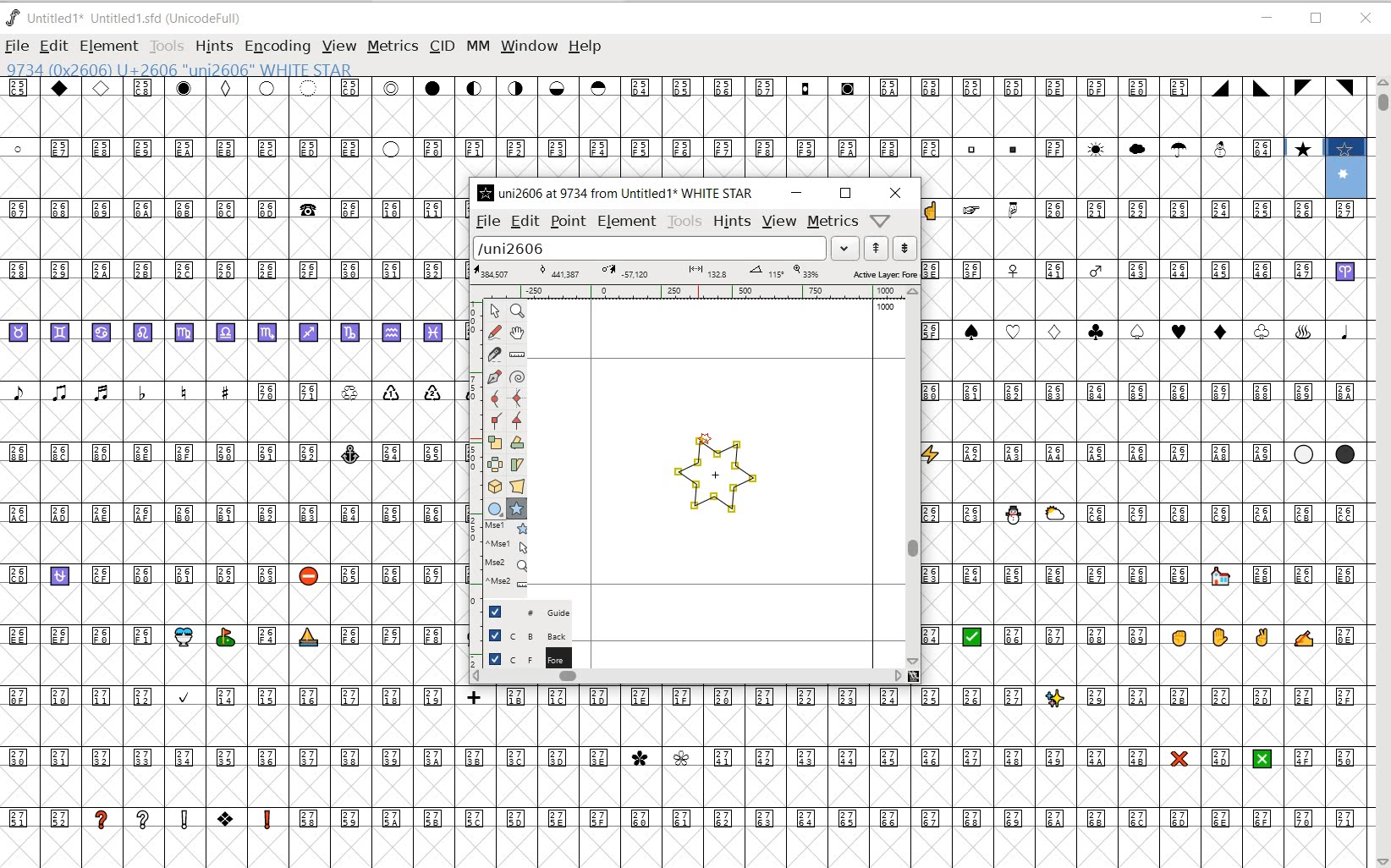 The width and height of the screenshot is (1391, 868). Describe the element at coordinates (702, 437) in the screenshot. I see `CURSOR LOCATION` at that location.